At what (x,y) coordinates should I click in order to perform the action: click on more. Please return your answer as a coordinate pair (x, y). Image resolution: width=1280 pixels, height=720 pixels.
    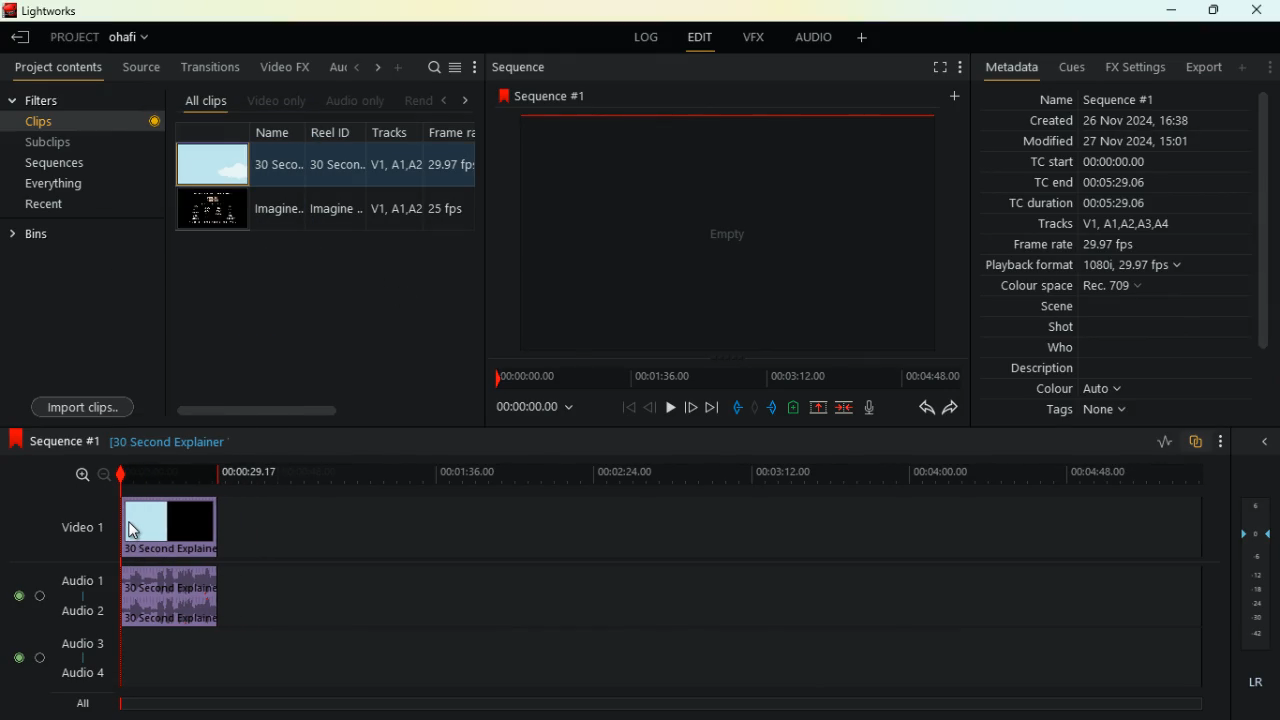
    Looking at the image, I should click on (474, 67).